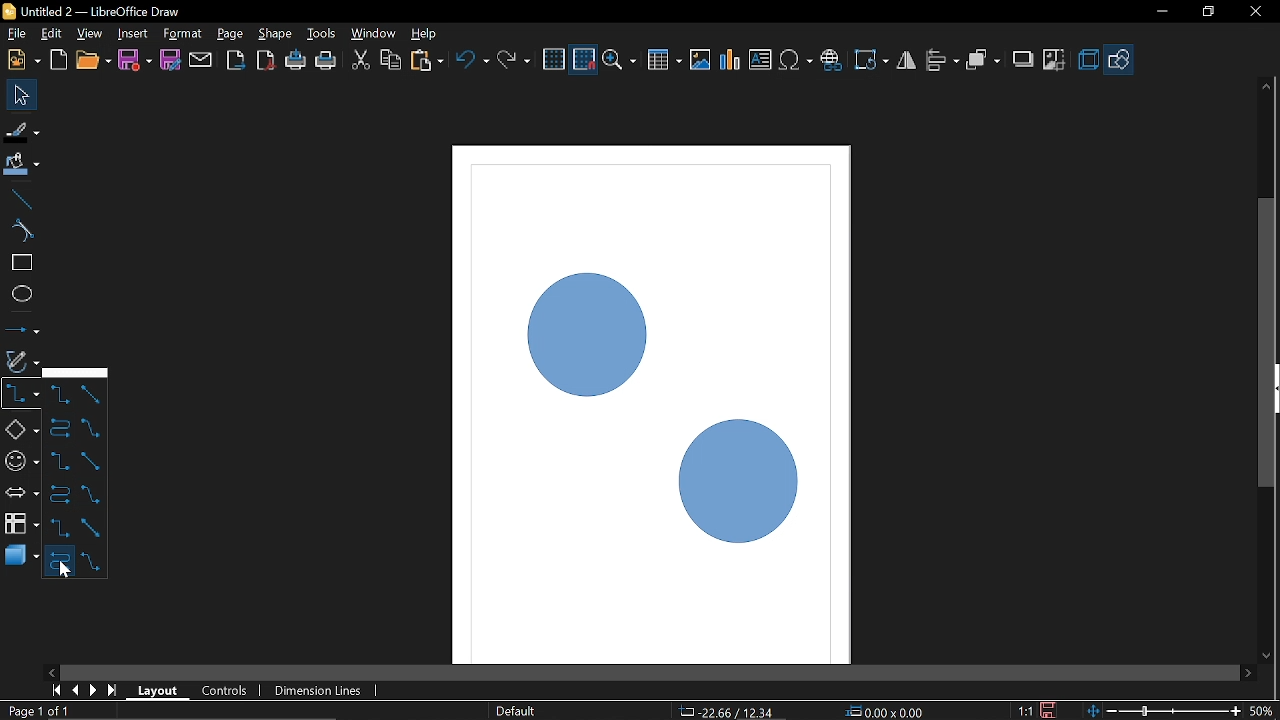 This screenshot has width=1280, height=720. I want to click on COpy, so click(390, 61).